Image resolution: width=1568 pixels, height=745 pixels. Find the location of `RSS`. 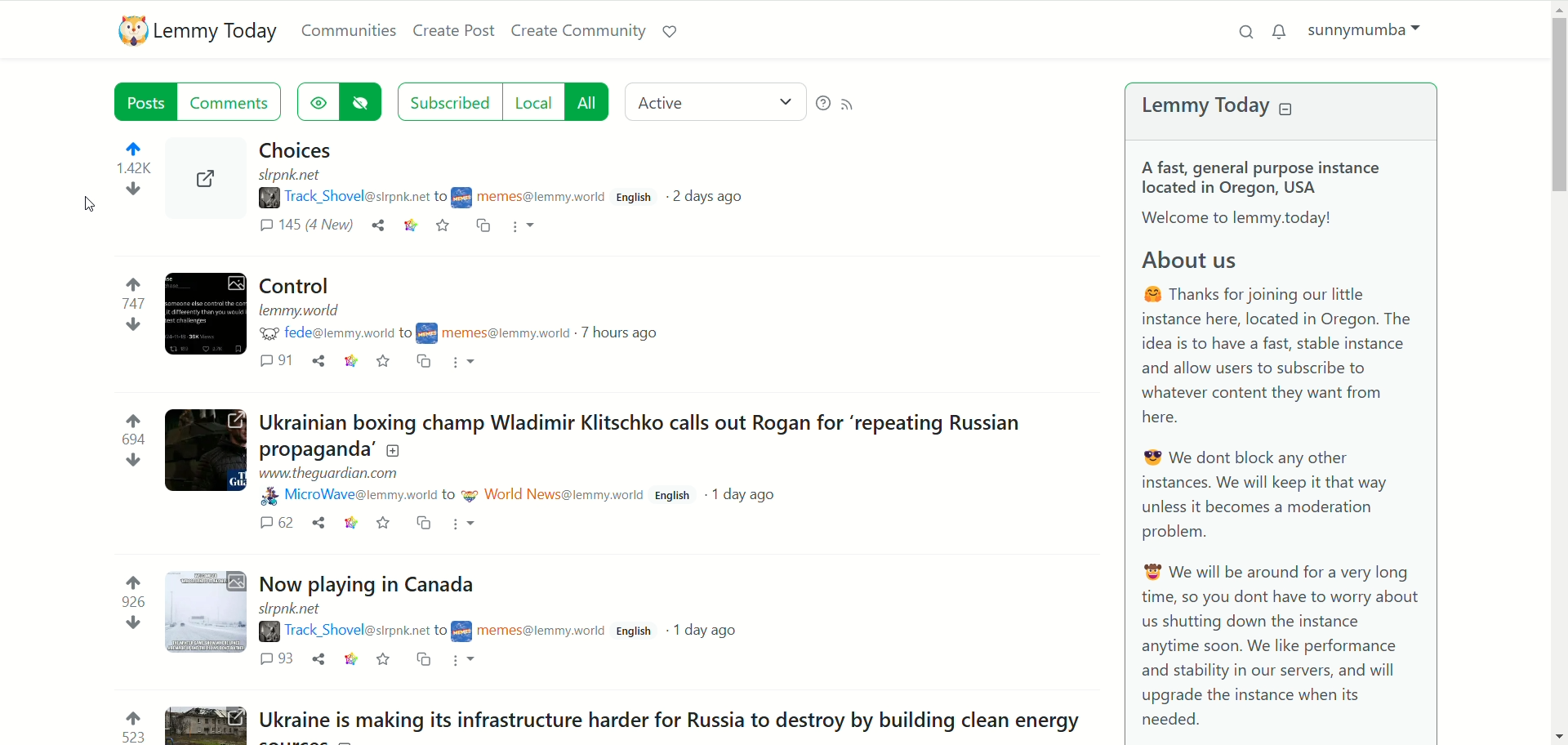

RSS is located at coordinates (856, 103).